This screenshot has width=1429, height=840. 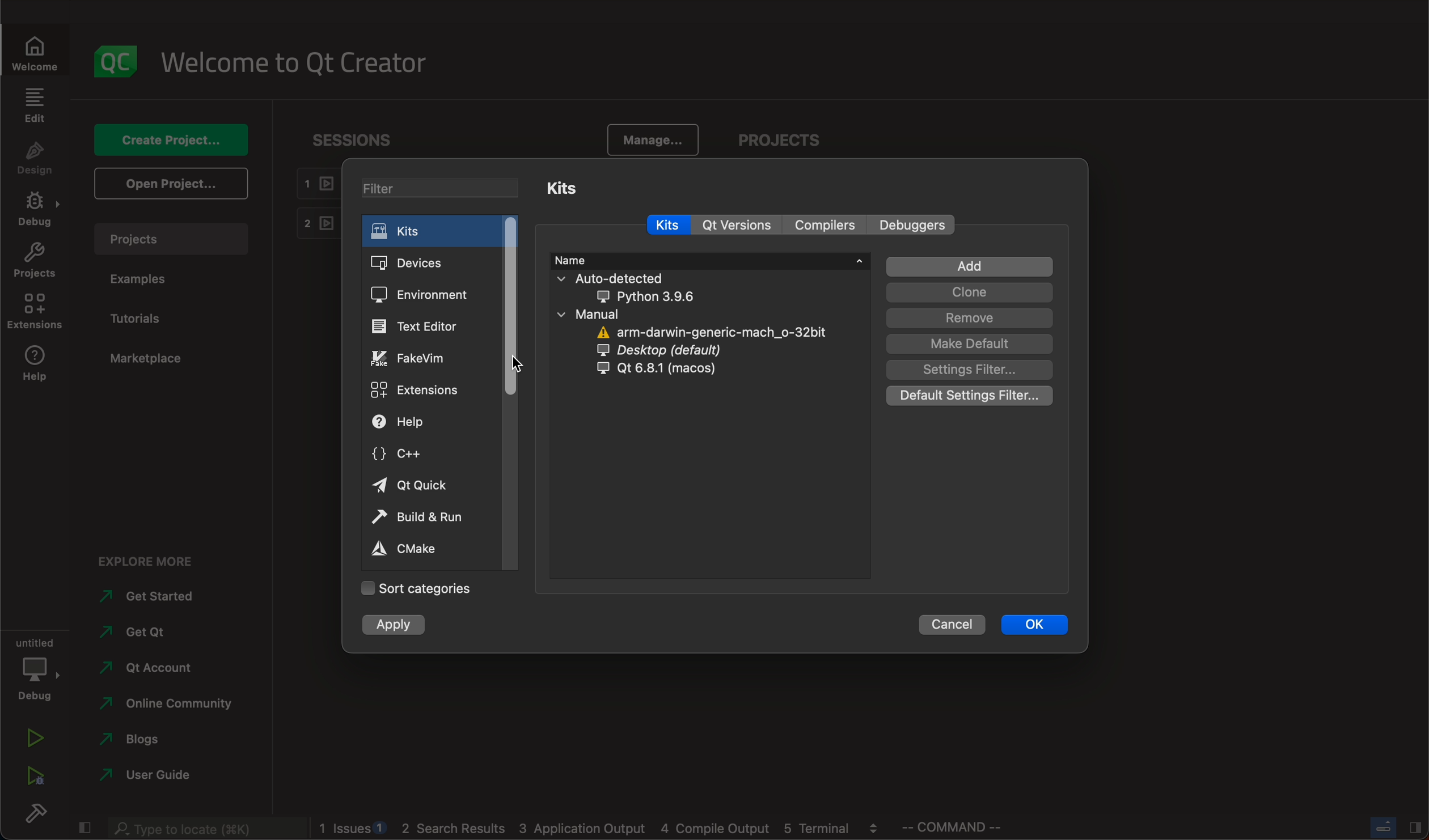 What do you see at coordinates (353, 144) in the screenshot?
I see `sessions` at bounding box center [353, 144].